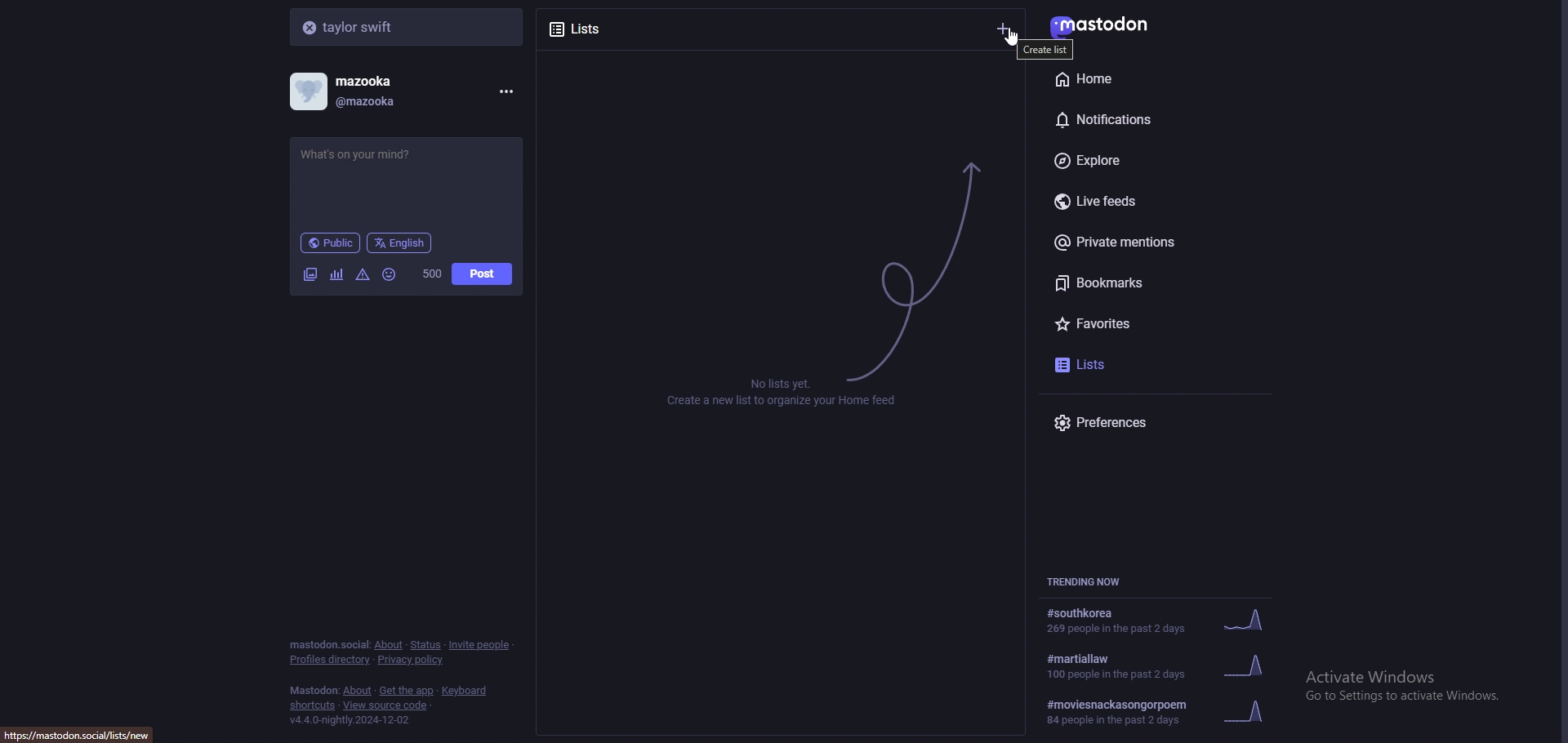 The width and height of the screenshot is (1568, 743). I want to click on no lists yet, so click(788, 392).